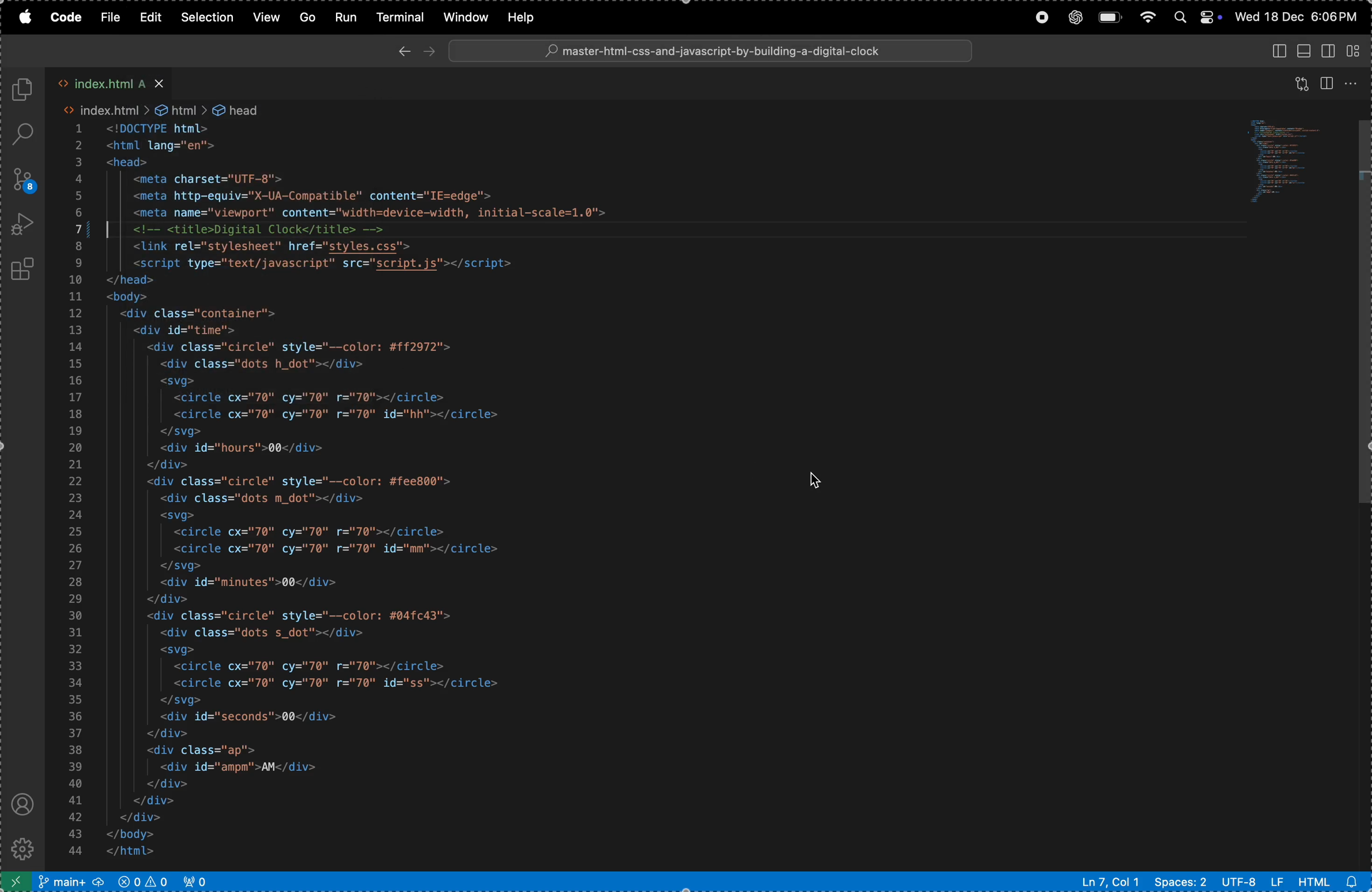 Image resolution: width=1372 pixels, height=892 pixels. Describe the element at coordinates (1296, 16) in the screenshot. I see `Wed 18 Dec 6:06 PM` at that location.